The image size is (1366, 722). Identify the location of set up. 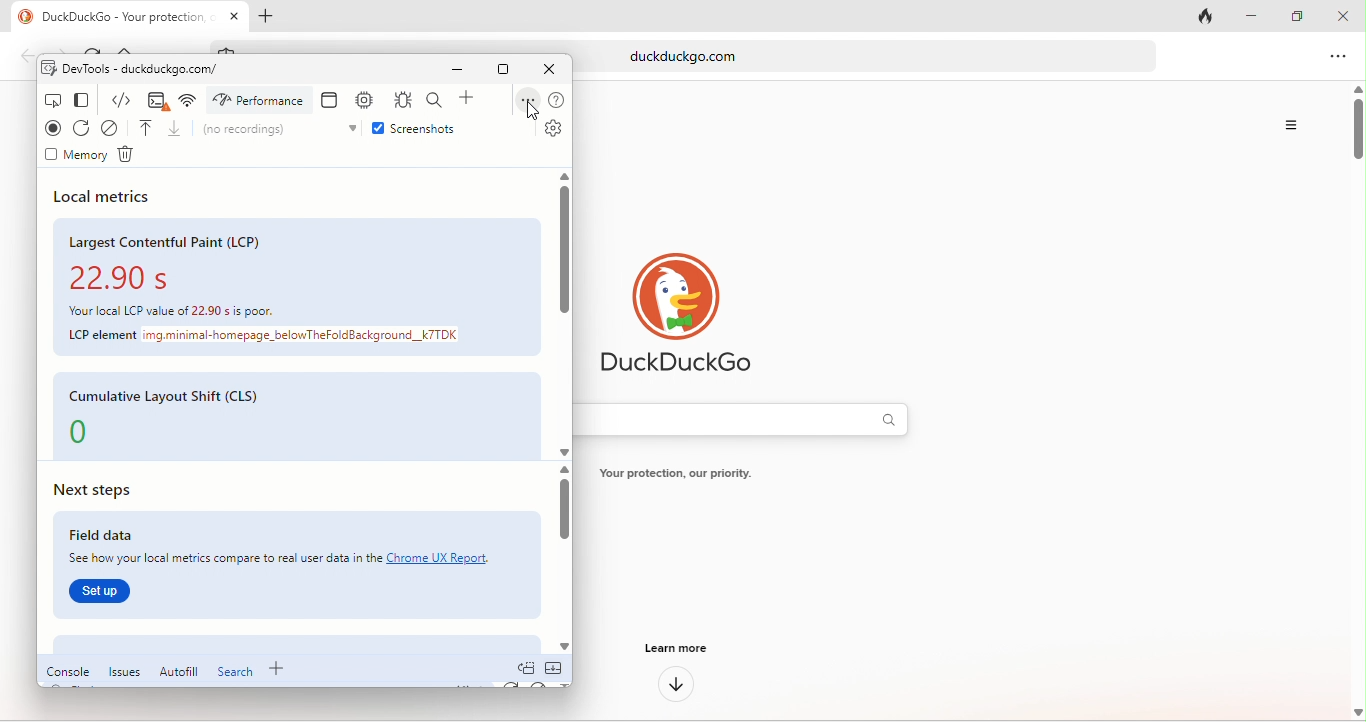
(100, 592).